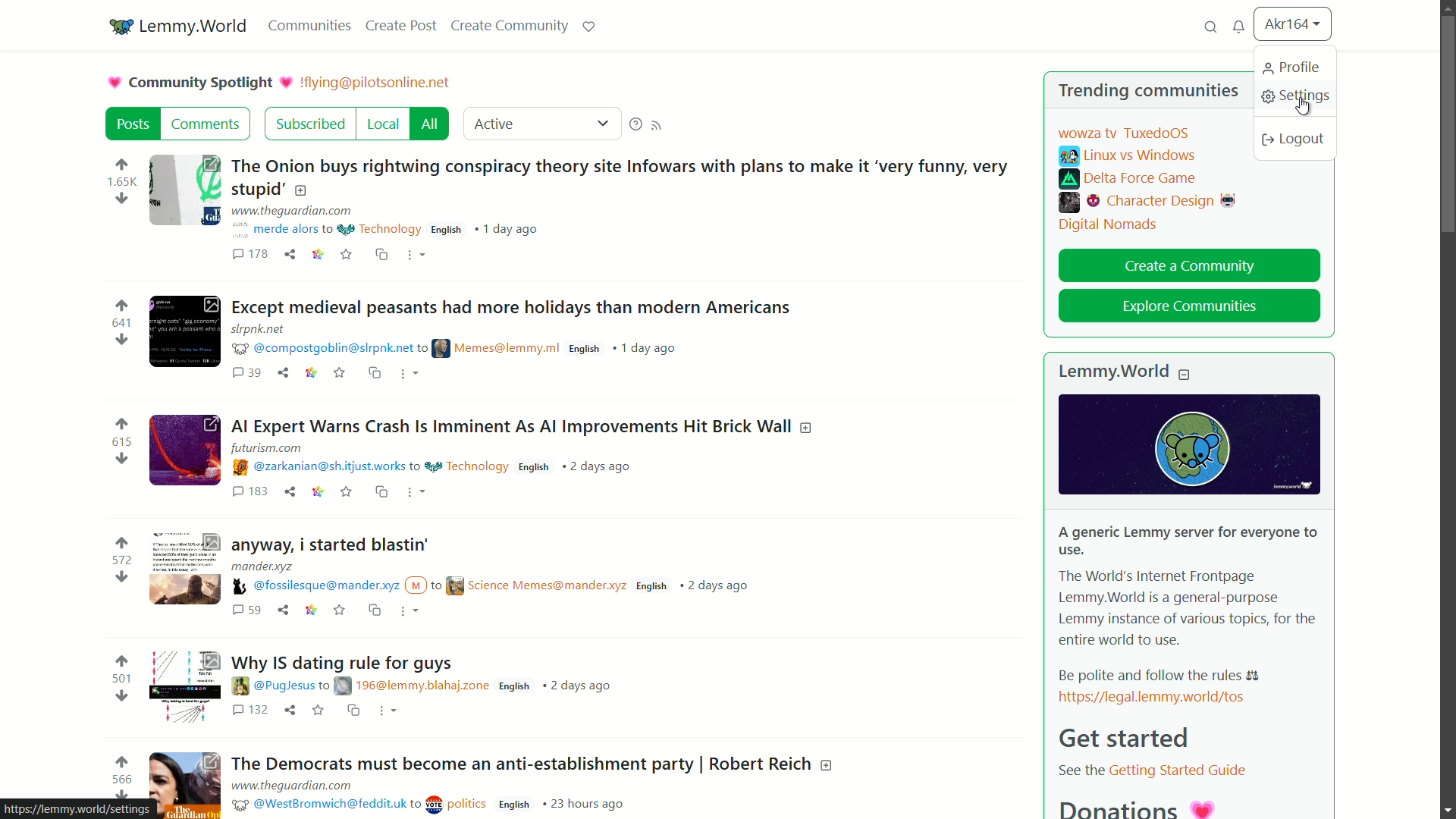  What do you see at coordinates (337, 610) in the screenshot?
I see `save` at bounding box center [337, 610].